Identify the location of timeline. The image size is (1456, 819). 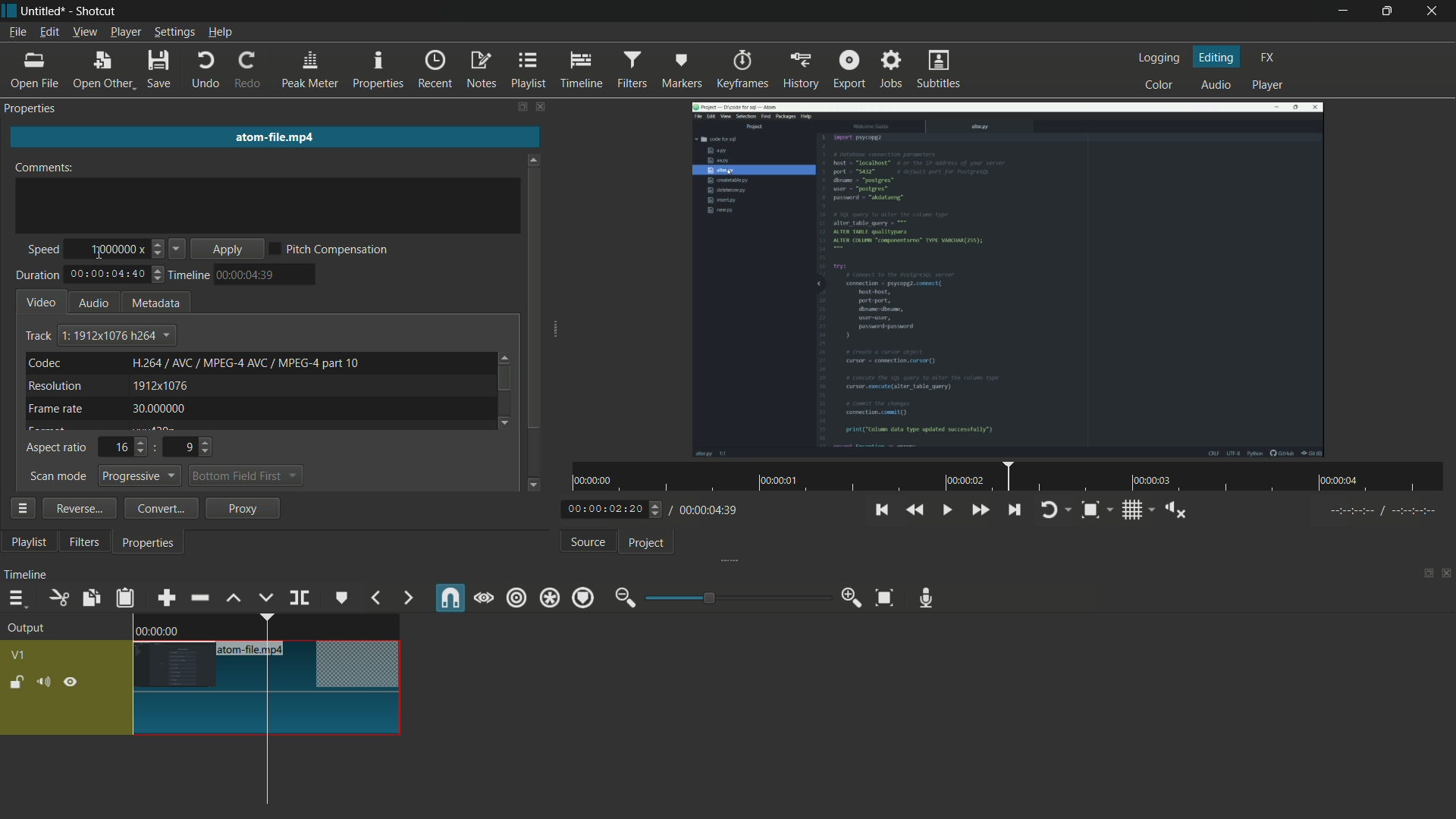
(27, 576).